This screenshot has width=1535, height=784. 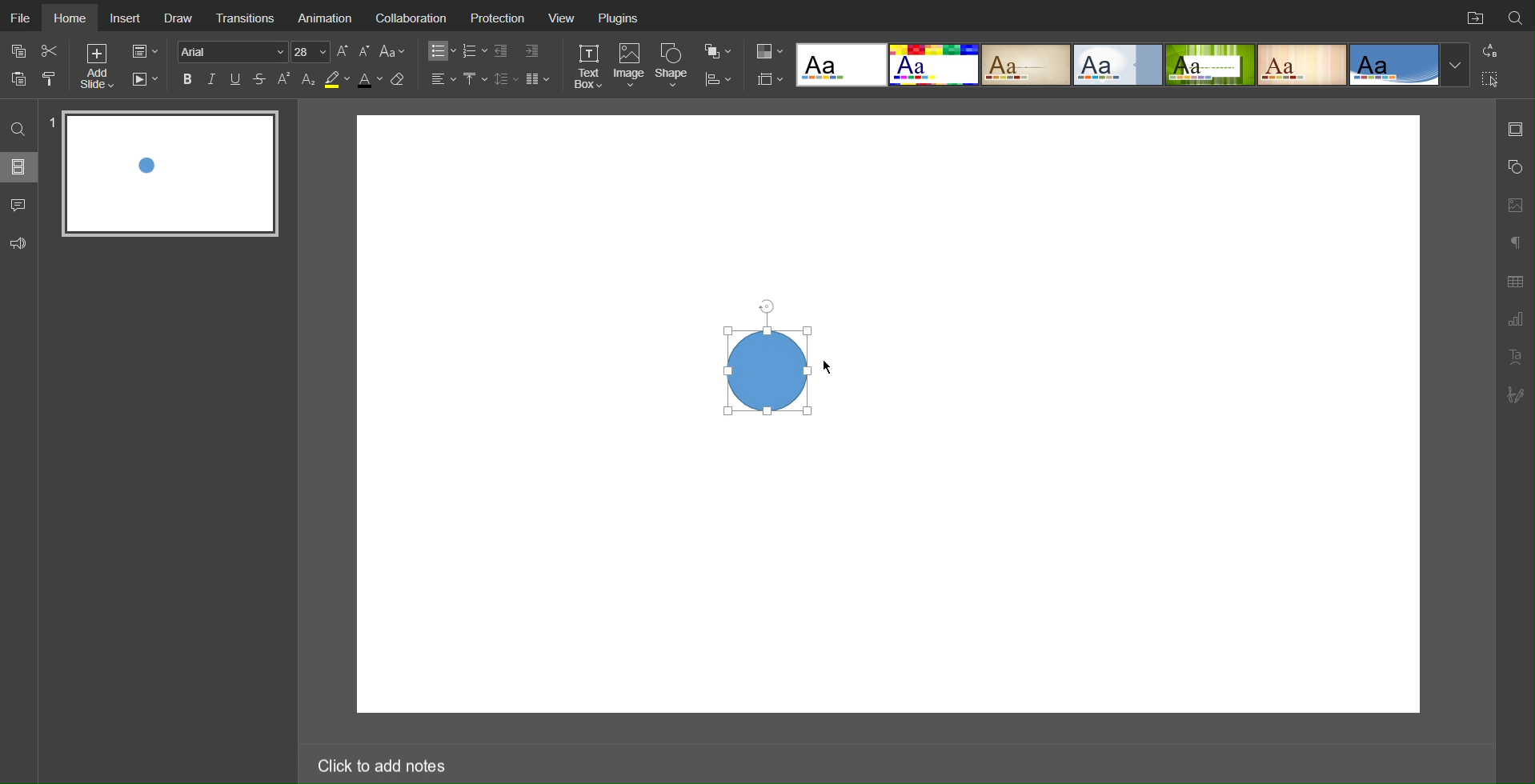 What do you see at coordinates (717, 50) in the screenshot?
I see `Arrangement` at bounding box center [717, 50].